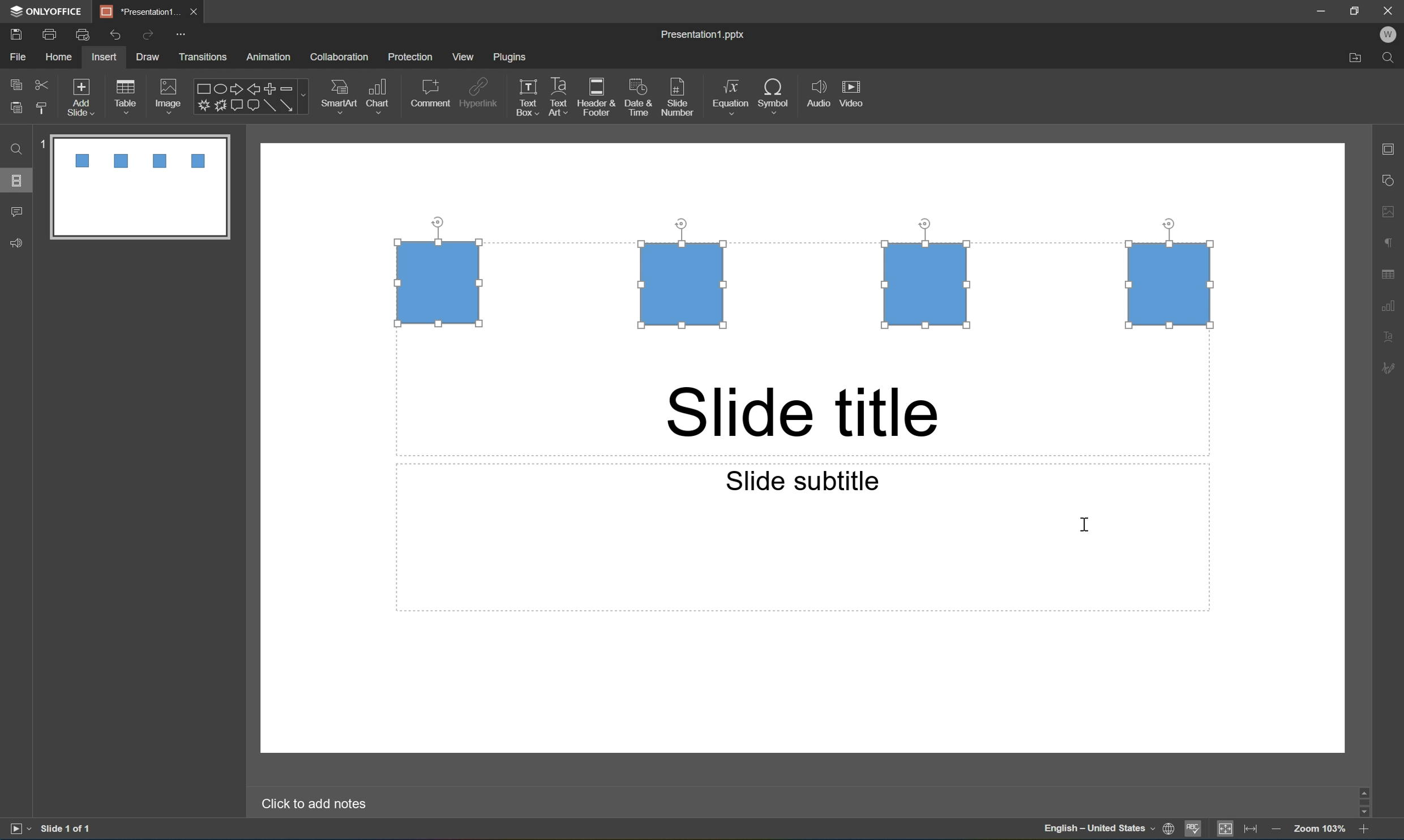 The image size is (1404, 840). I want to click on Find, so click(17, 150).